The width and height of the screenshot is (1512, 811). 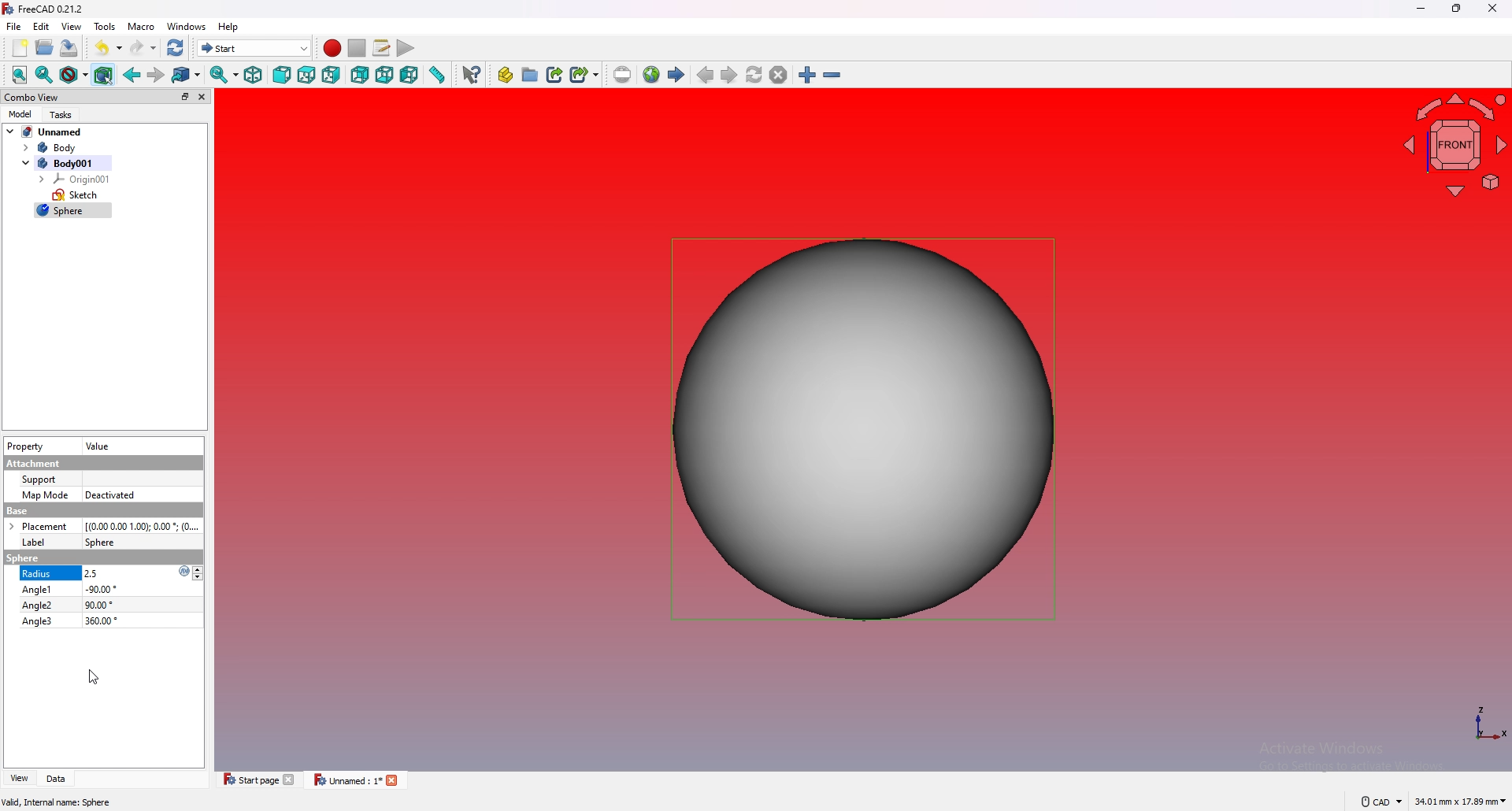 What do you see at coordinates (187, 76) in the screenshot?
I see `go to linked object` at bounding box center [187, 76].